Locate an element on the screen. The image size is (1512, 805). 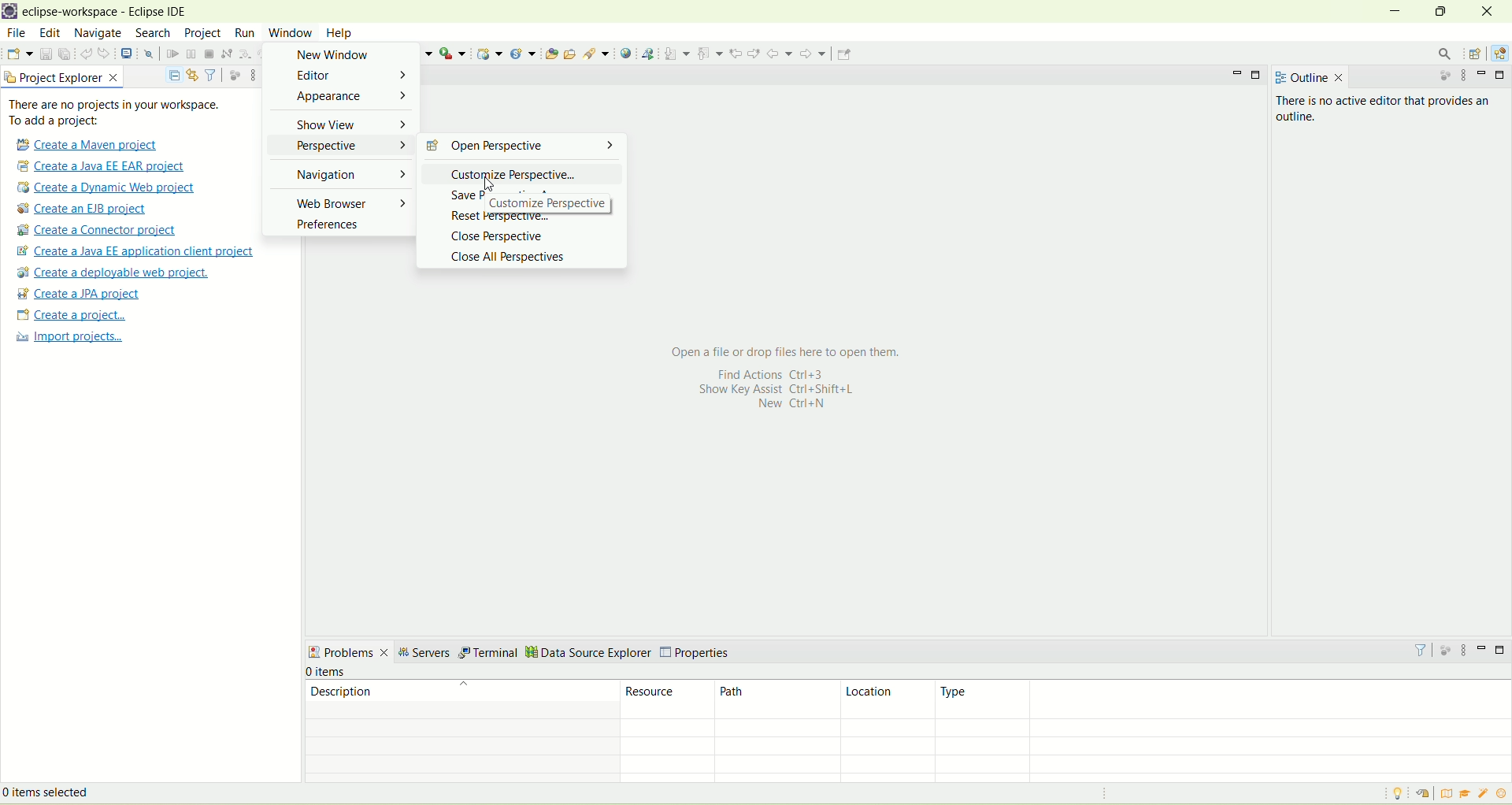
customixze perspective is located at coordinates (514, 172).